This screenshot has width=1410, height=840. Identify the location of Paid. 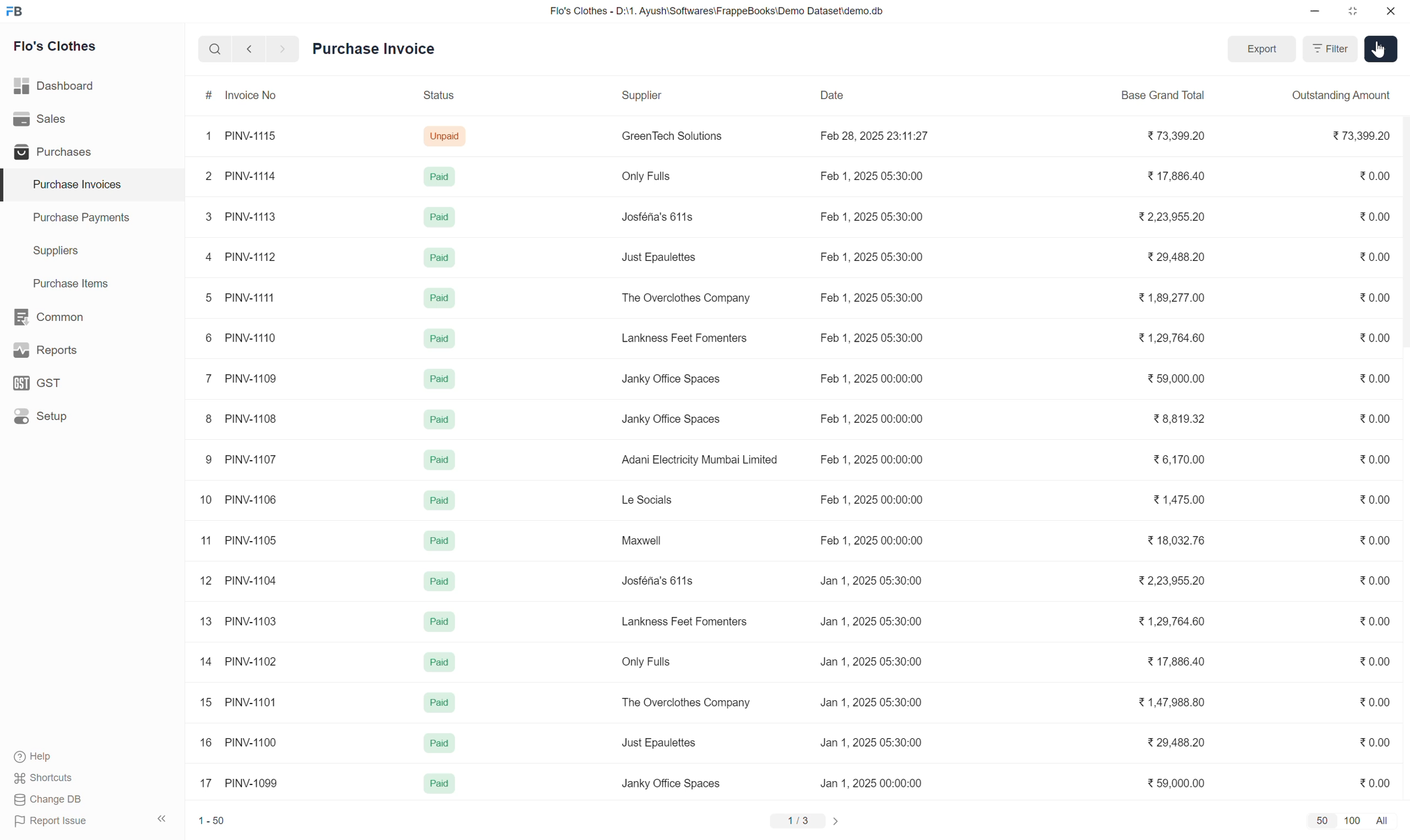
(439, 179).